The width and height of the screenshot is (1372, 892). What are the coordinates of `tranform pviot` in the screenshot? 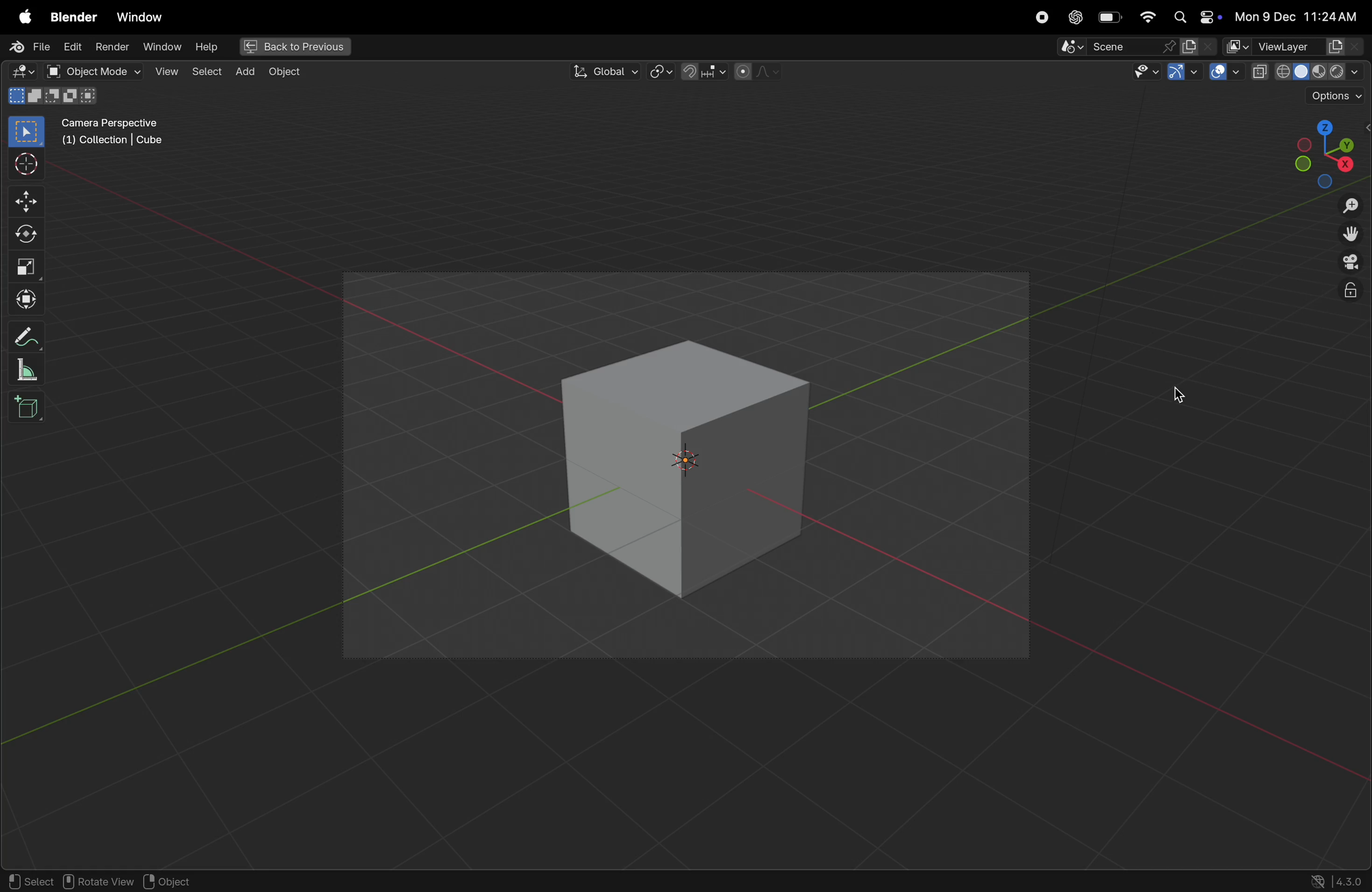 It's located at (663, 72).